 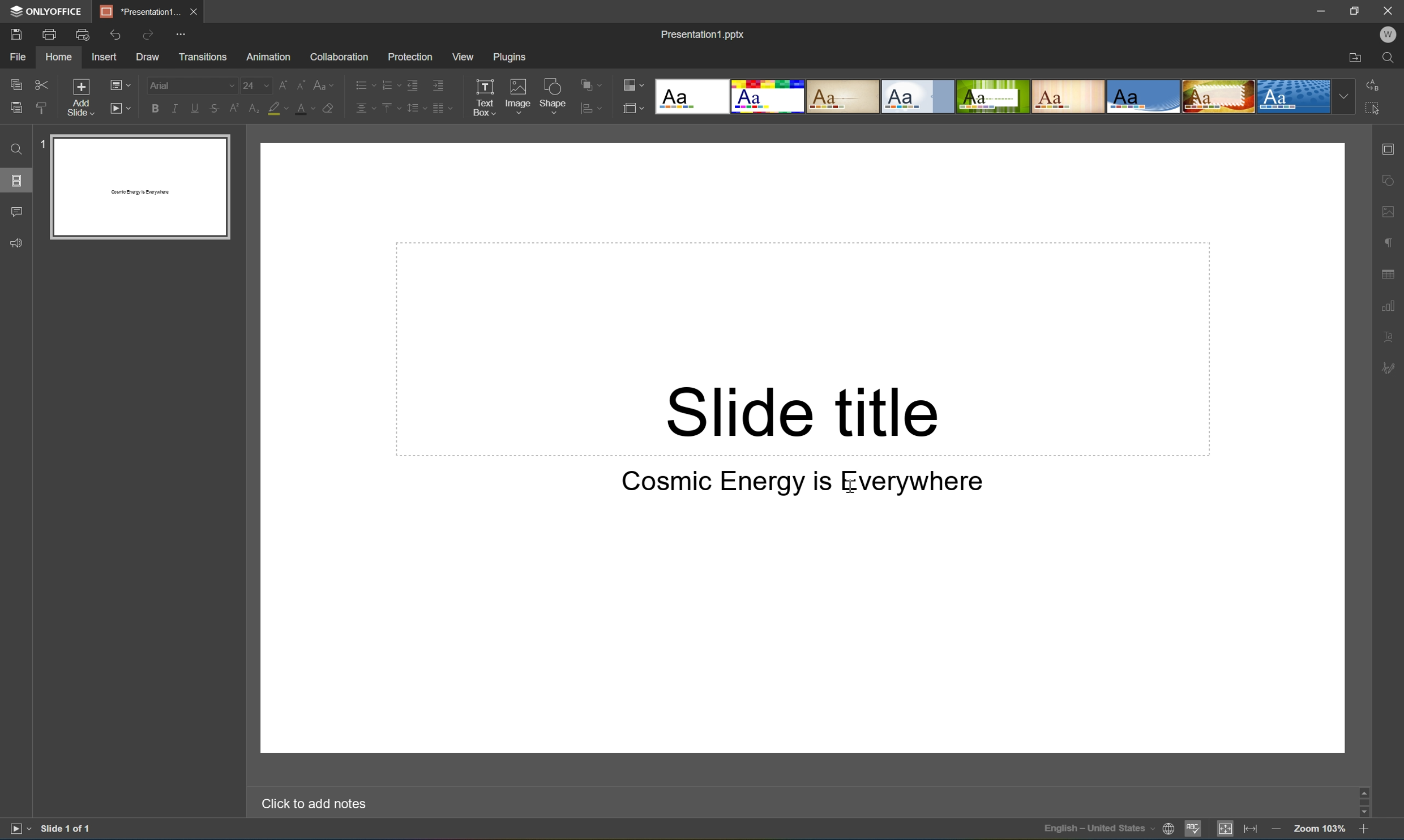 I want to click on cursor, so click(x=854, y=490).